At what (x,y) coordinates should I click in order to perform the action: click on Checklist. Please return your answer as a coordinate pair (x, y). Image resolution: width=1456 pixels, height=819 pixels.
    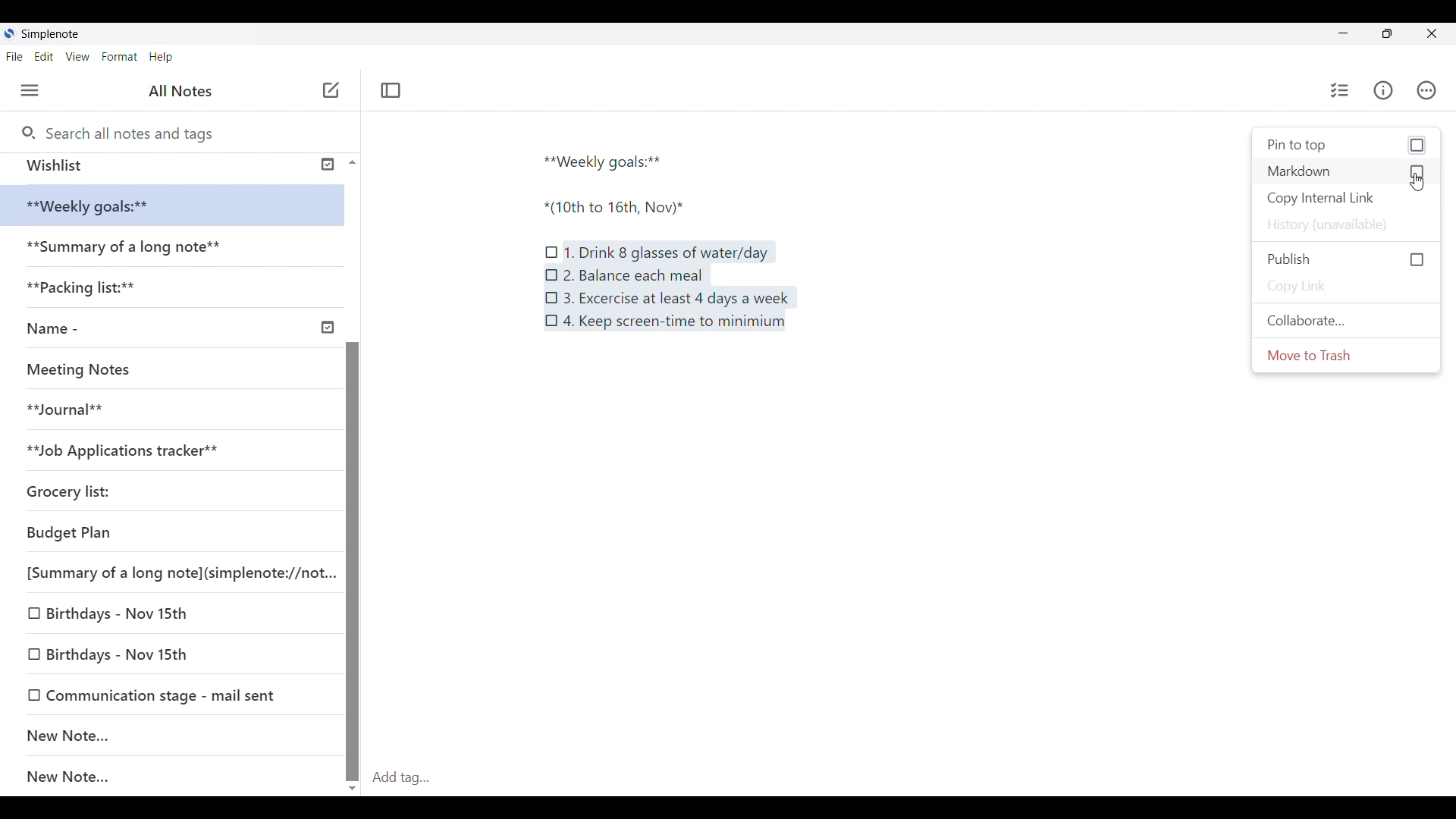
    Looking at the image, I should click on (1337, 90).